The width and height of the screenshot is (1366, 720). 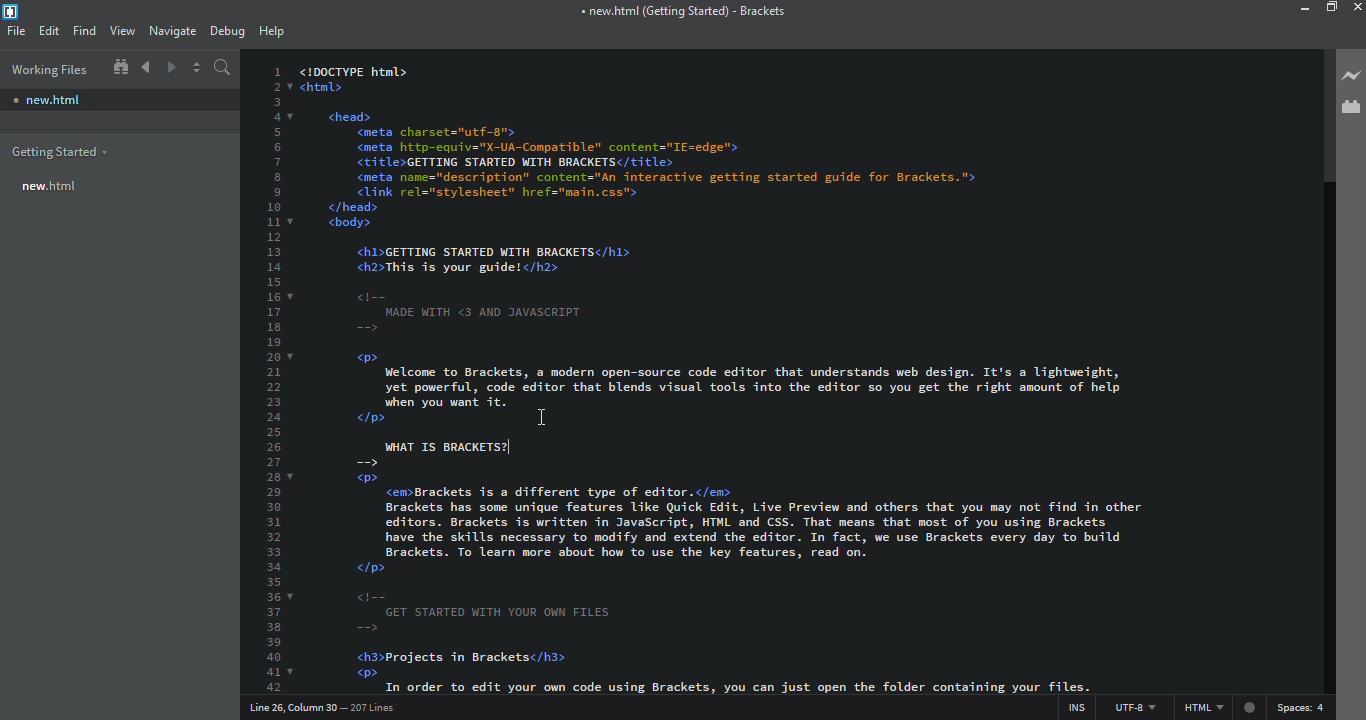 I want to click on debug, so click(x=229, y=32).